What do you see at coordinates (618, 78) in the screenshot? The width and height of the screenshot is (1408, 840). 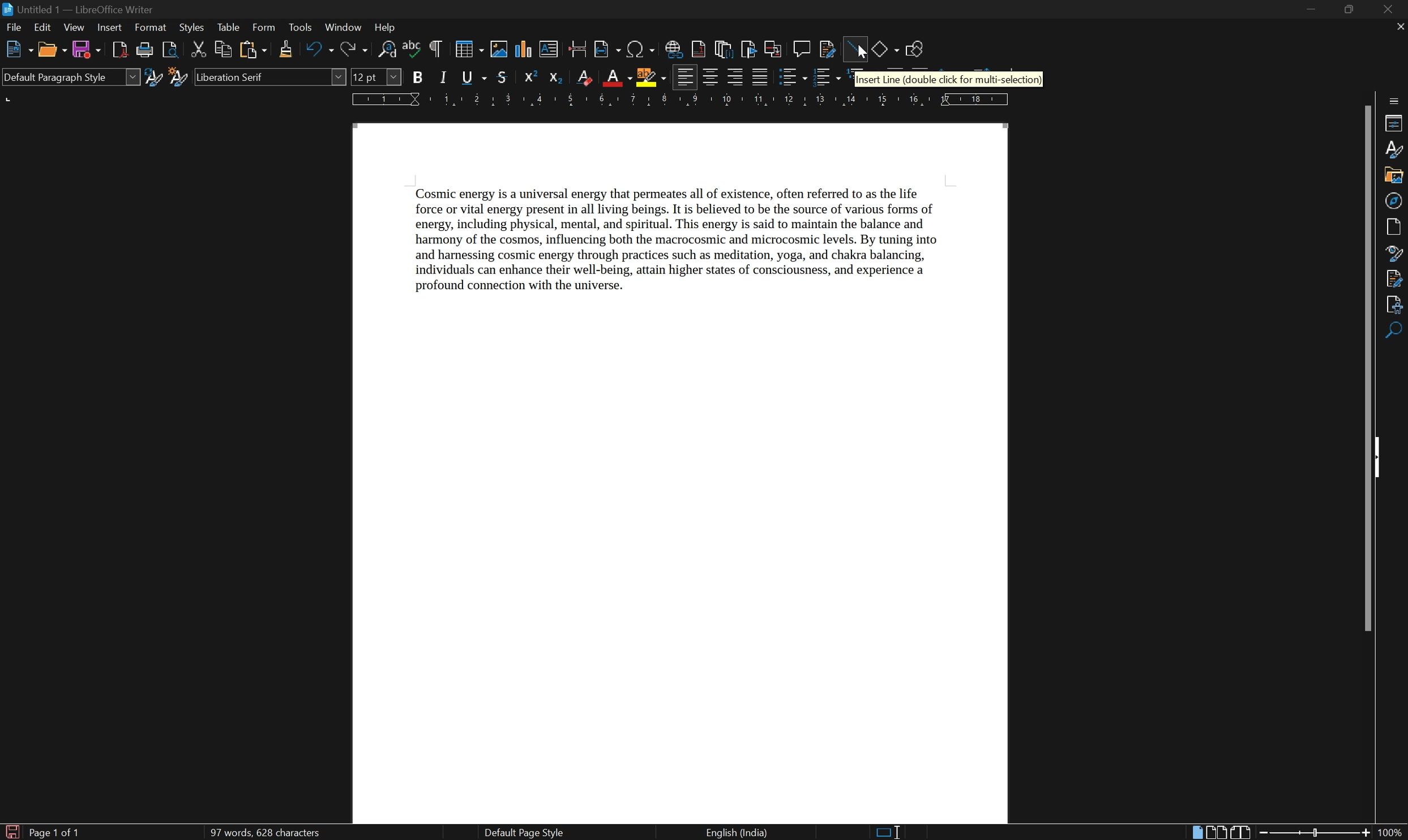 I see `font color` at bounding box center [618, 78].